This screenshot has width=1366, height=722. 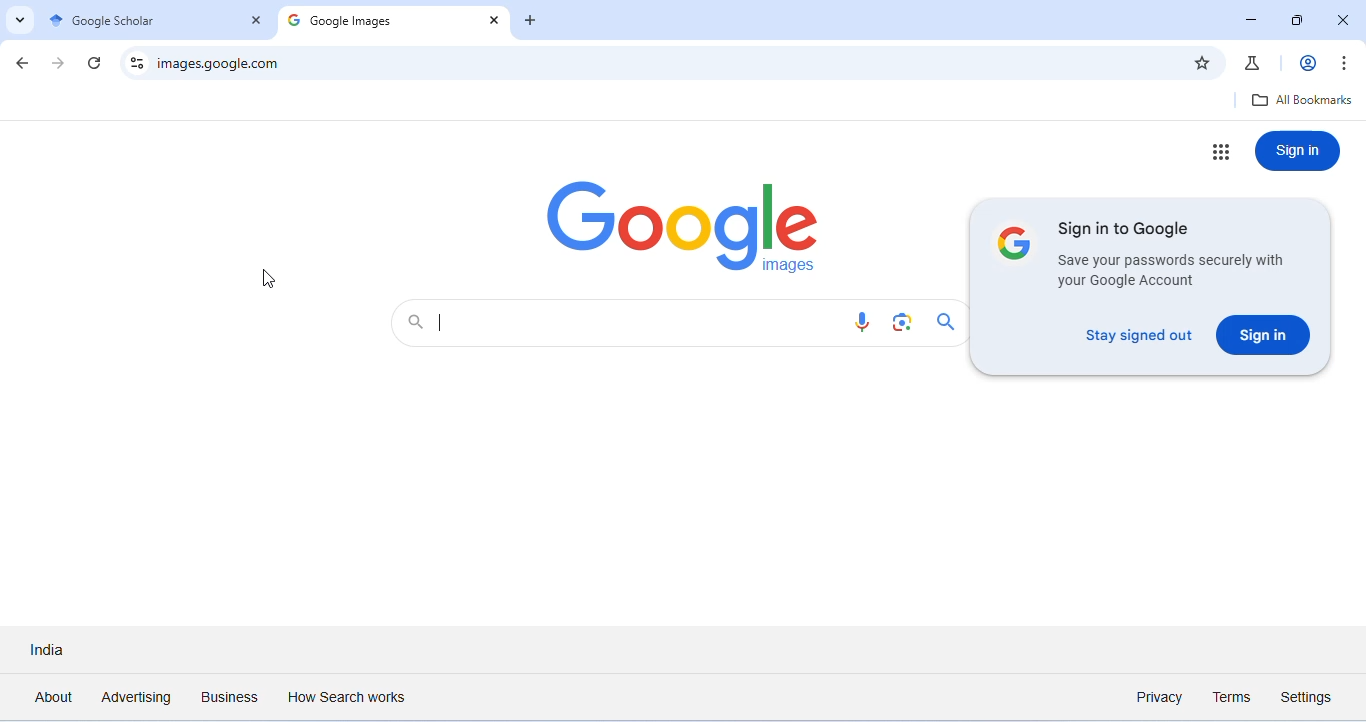 What do you see at coordinates (1297, 100) in the screenshot?
I see `all bookmarks` at bounding box center [1297, 100].